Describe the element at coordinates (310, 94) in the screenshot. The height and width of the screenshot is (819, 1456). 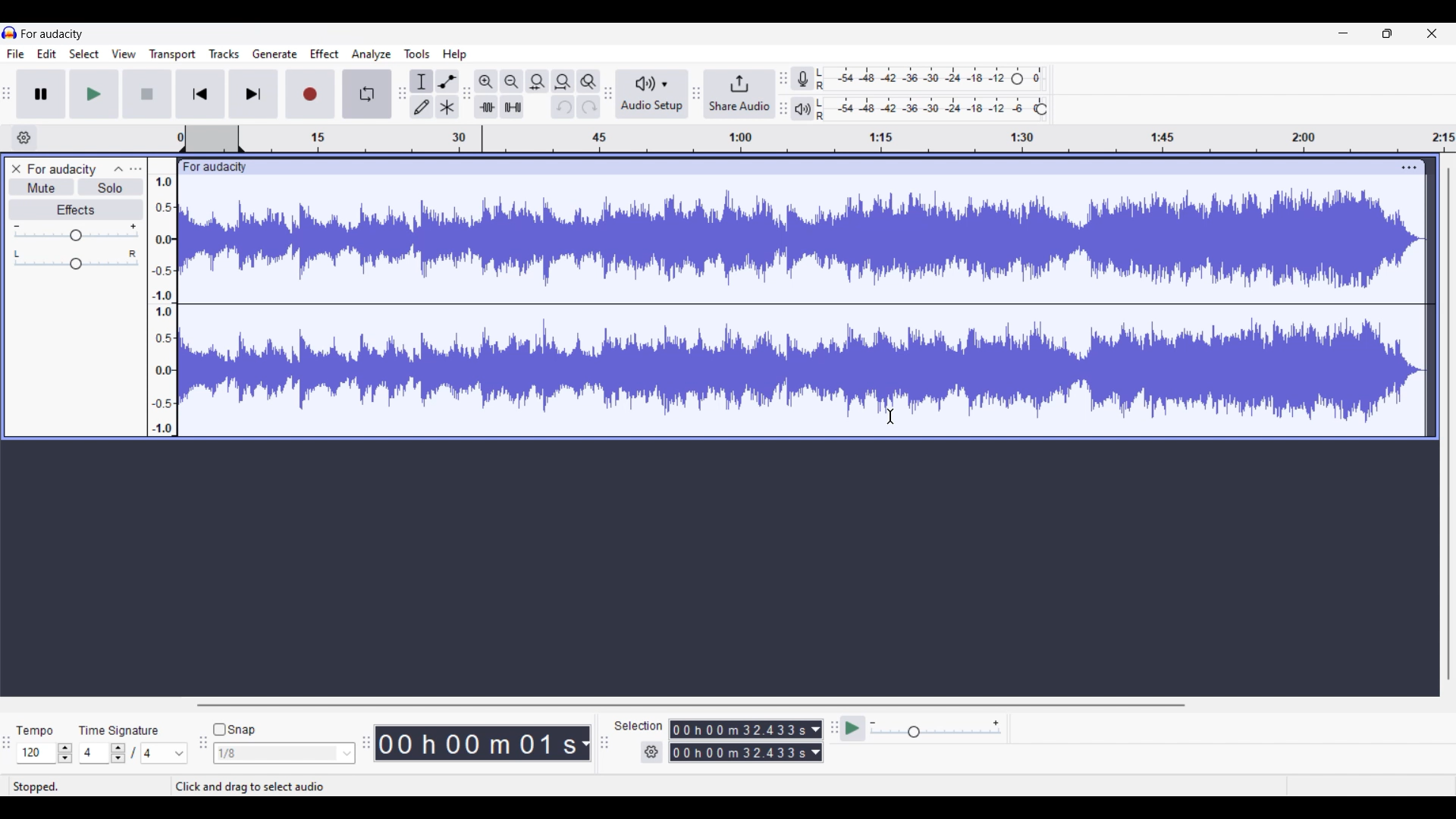
I see `Record/Record new track` at that location.